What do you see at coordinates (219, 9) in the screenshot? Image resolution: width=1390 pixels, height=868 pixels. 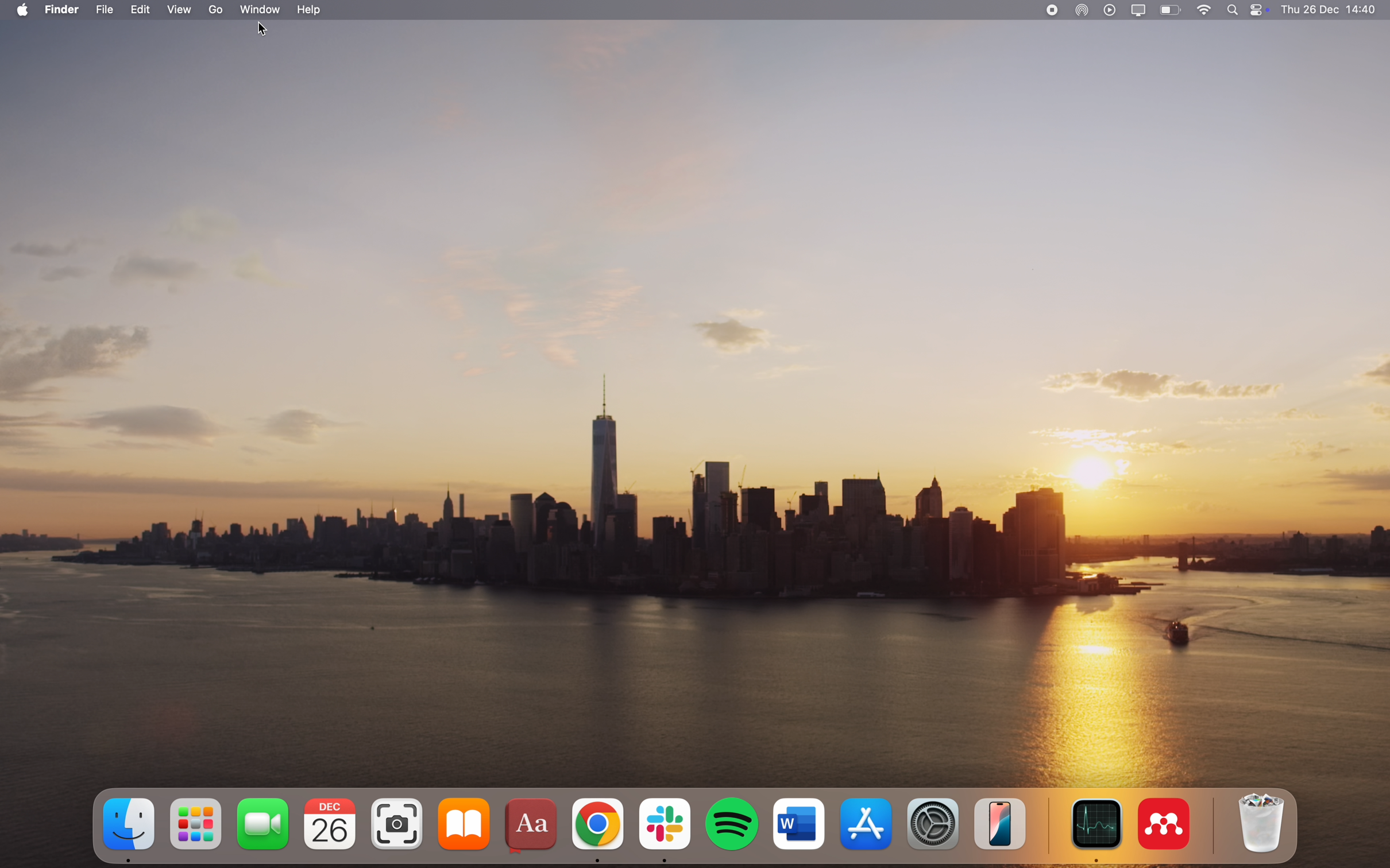 I see `go` at bounding box center [219, 9].